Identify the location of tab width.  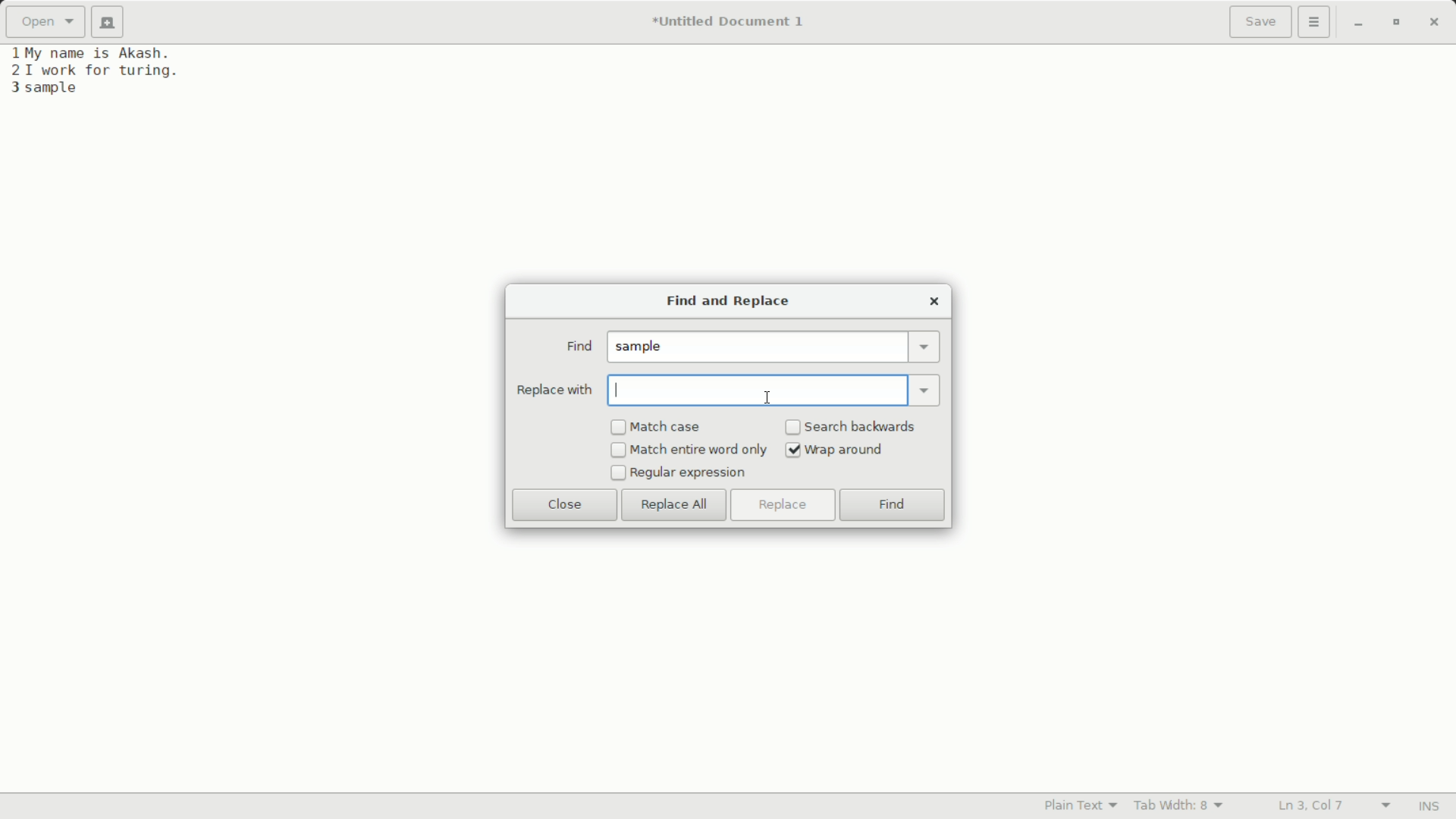
(1179, 805).